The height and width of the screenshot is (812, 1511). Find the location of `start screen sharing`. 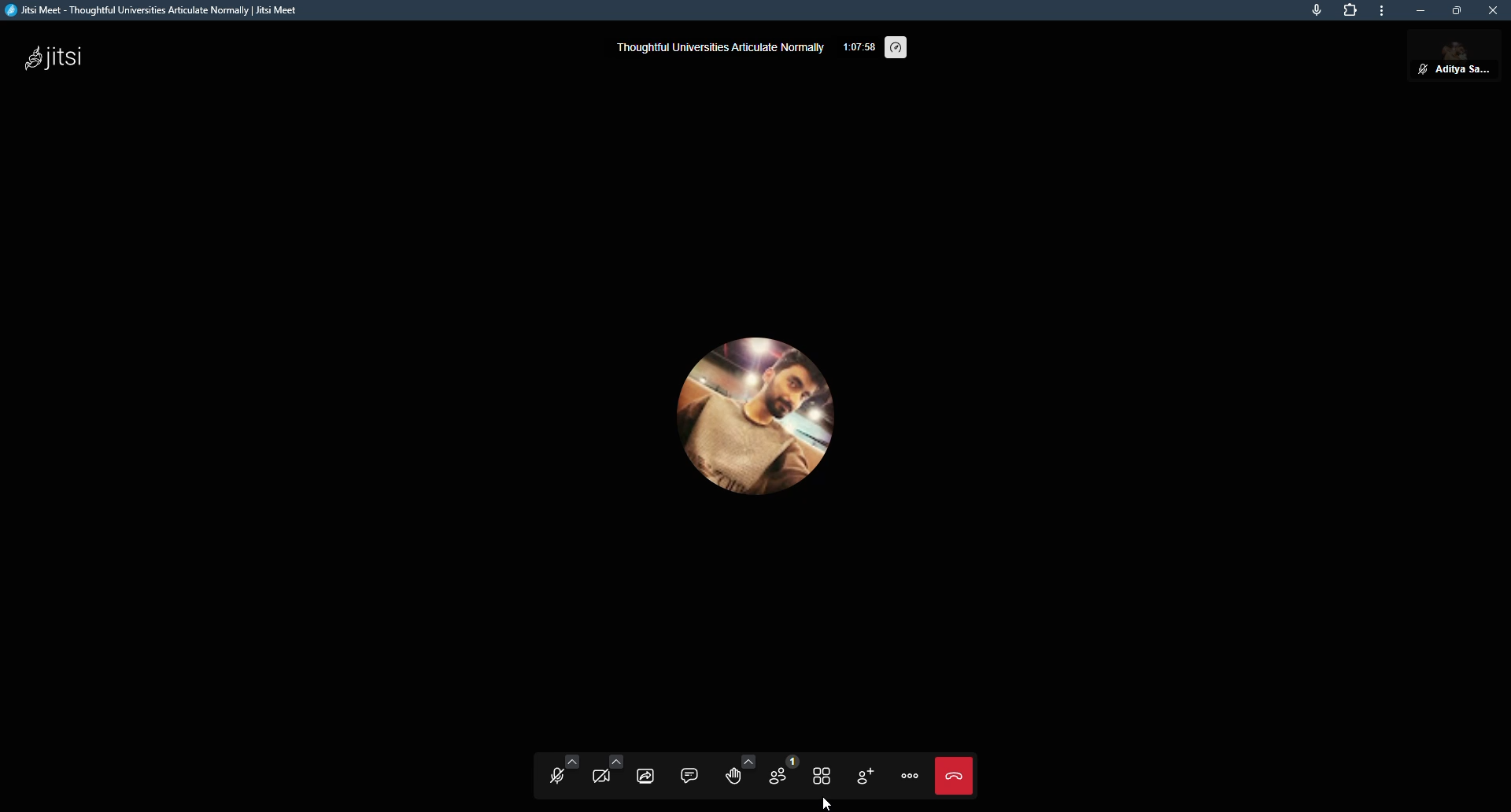

start screen sharing is located at coordinates (647, 774).